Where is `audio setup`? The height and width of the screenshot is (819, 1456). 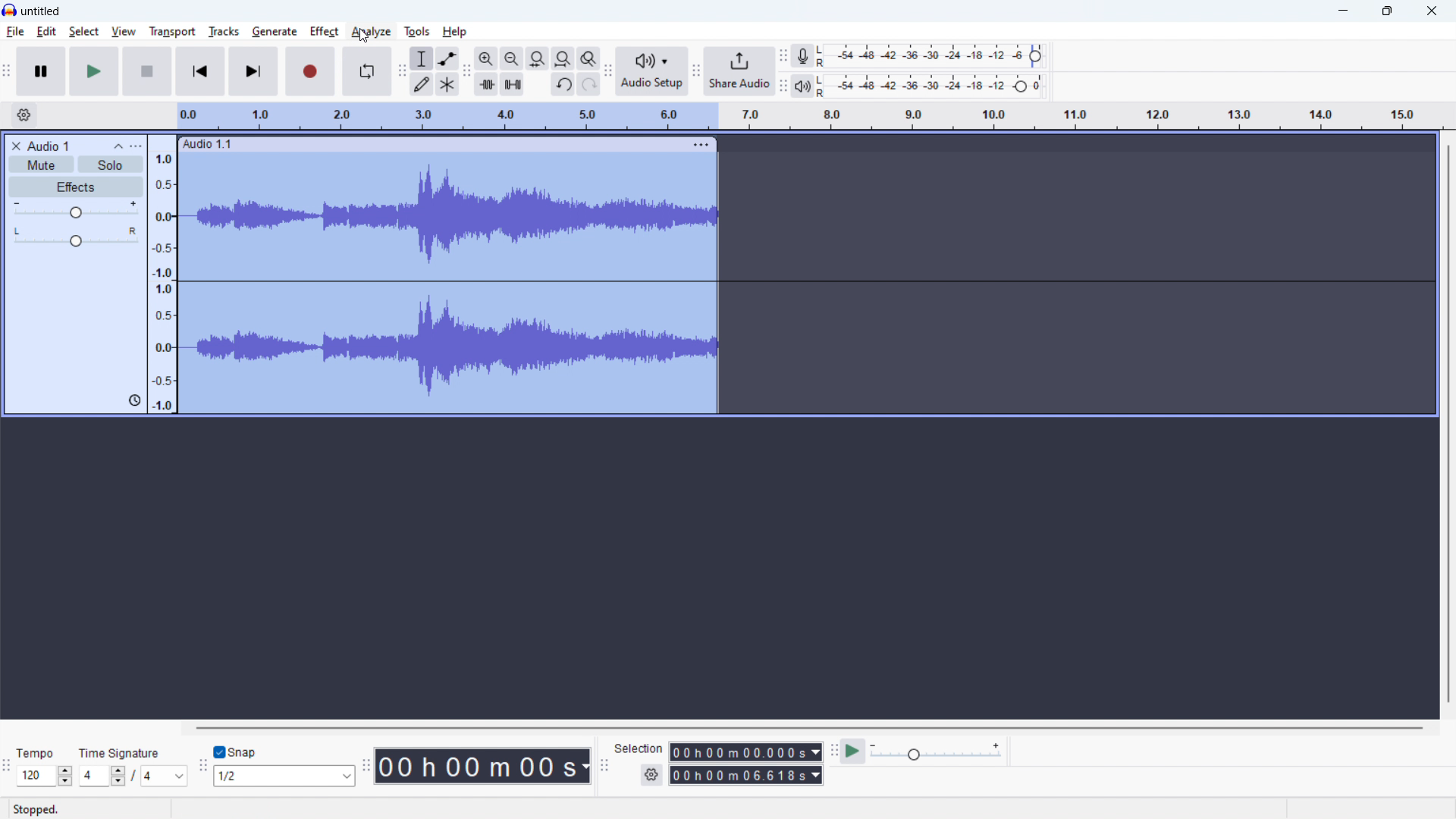
audio setup is located at coordinates (652, 71).